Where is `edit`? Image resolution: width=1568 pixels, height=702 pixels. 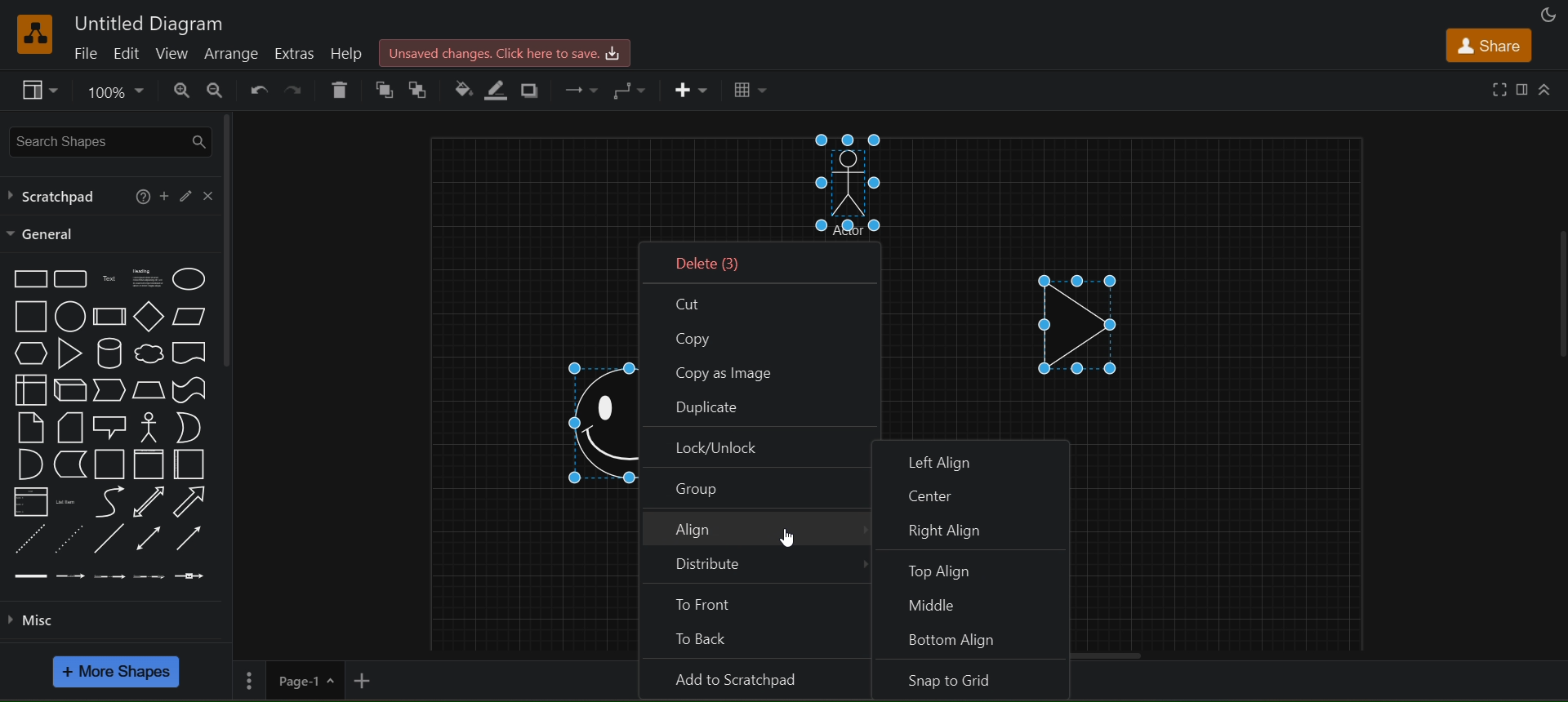
edit is located at coordinates (126, 54).